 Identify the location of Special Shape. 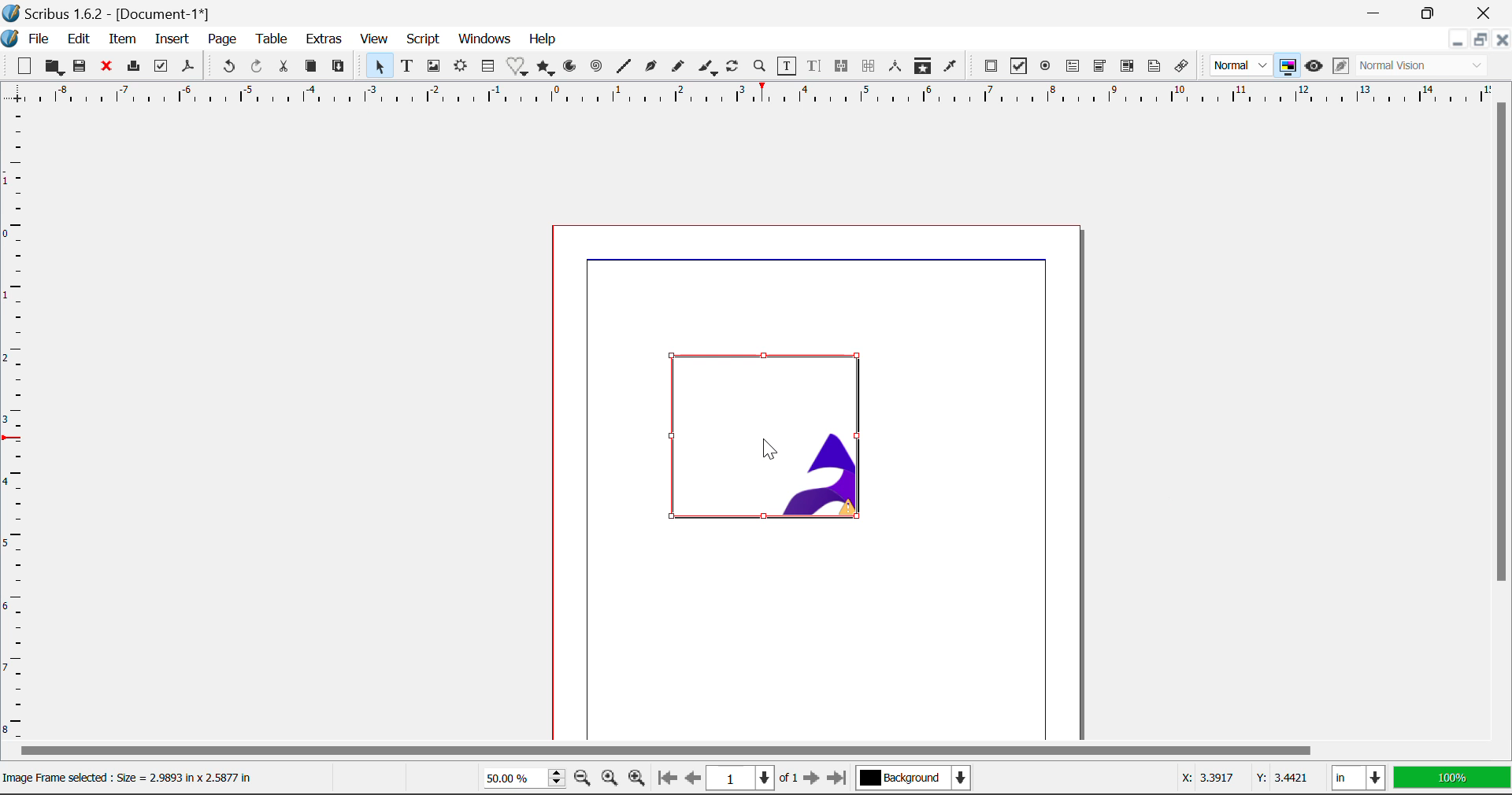
(516, 66).